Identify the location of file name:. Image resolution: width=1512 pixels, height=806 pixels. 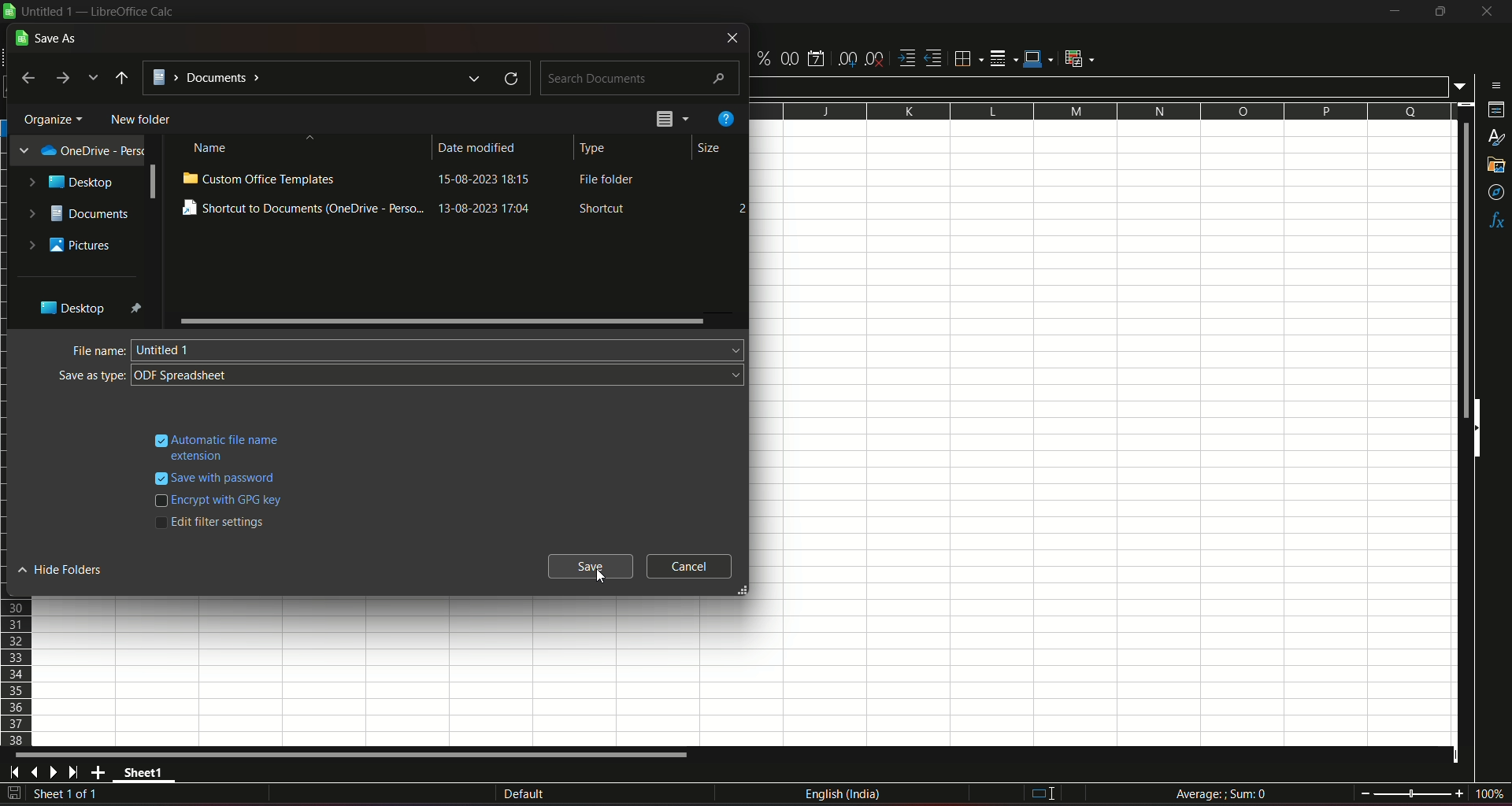
(96, 350).